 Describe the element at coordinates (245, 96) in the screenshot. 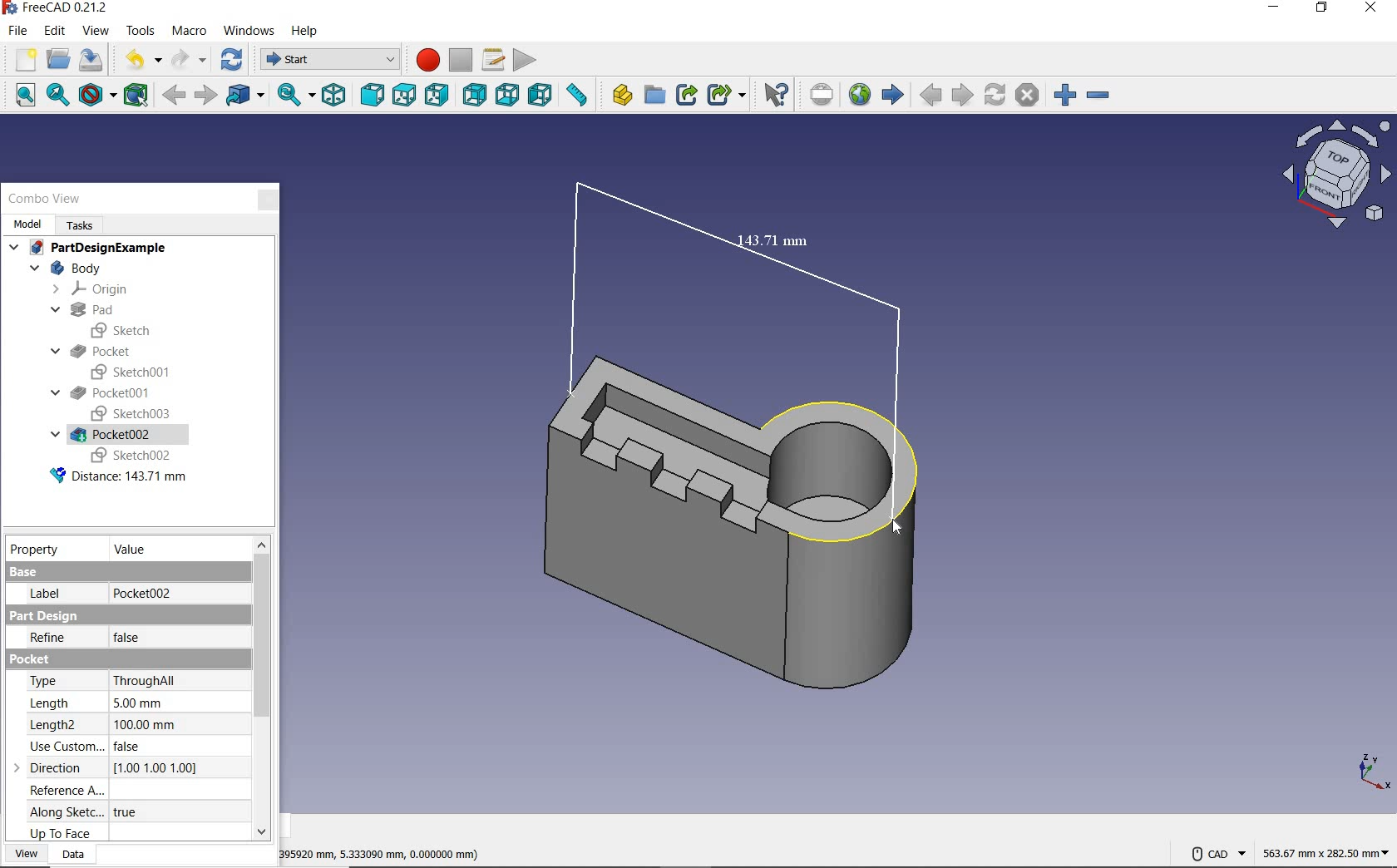

I see `go to linked object` at that location.